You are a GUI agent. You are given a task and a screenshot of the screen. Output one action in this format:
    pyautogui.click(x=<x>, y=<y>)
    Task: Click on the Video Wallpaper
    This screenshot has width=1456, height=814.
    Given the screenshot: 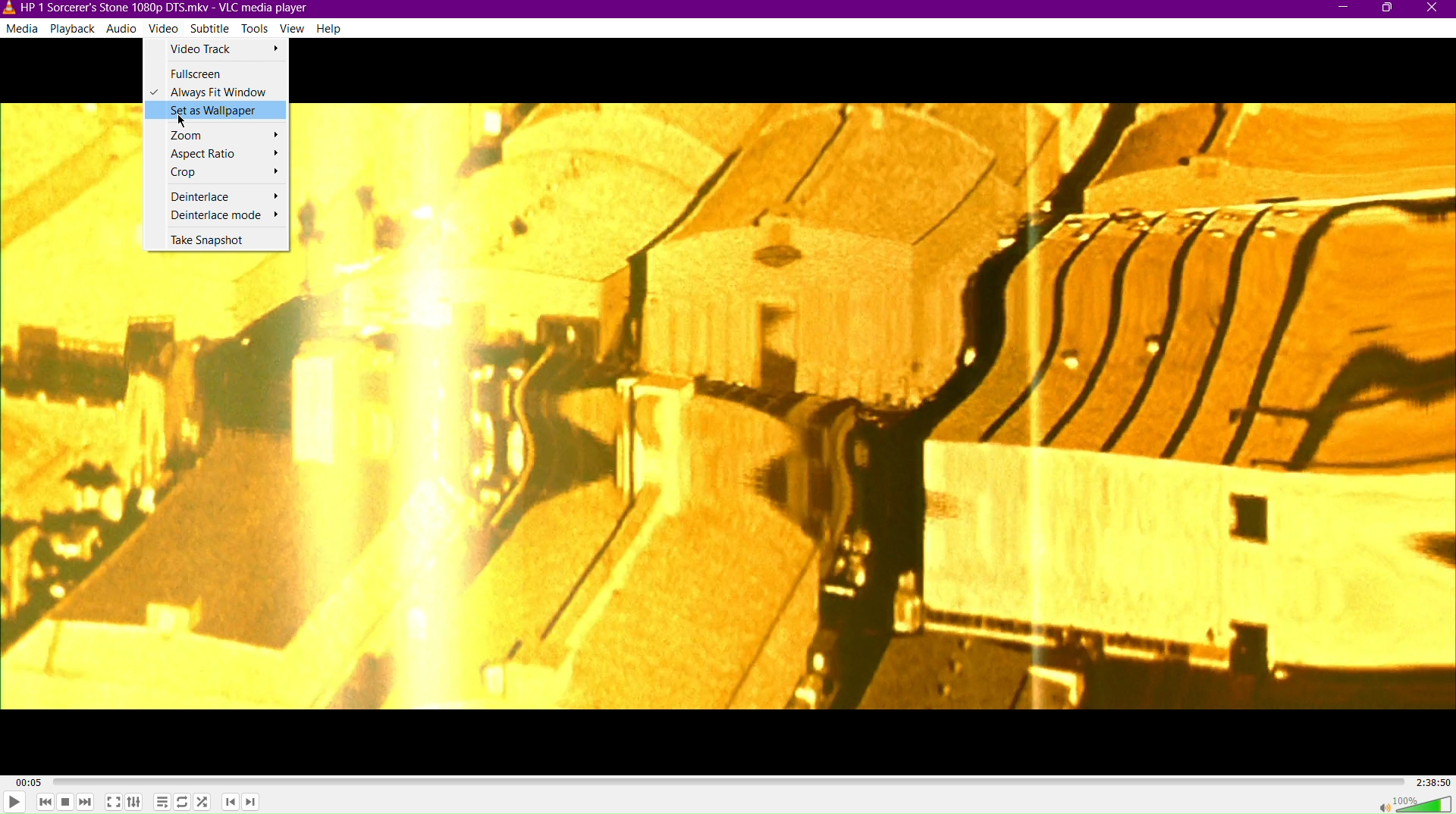 What is the action you would take?
    pyautogui.click(x=880, y=407)
    